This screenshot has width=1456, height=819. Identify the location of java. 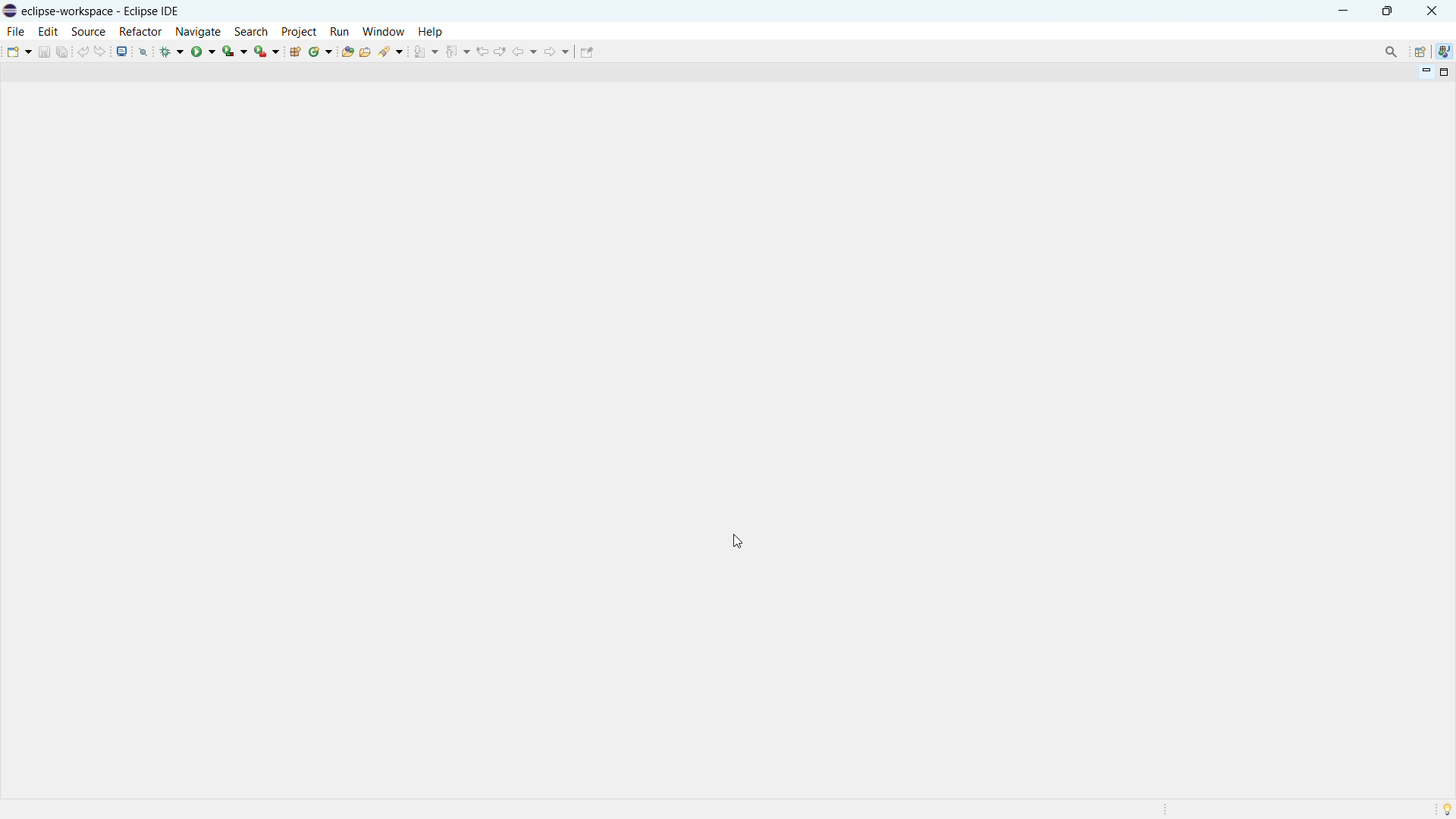
(1445, 52).